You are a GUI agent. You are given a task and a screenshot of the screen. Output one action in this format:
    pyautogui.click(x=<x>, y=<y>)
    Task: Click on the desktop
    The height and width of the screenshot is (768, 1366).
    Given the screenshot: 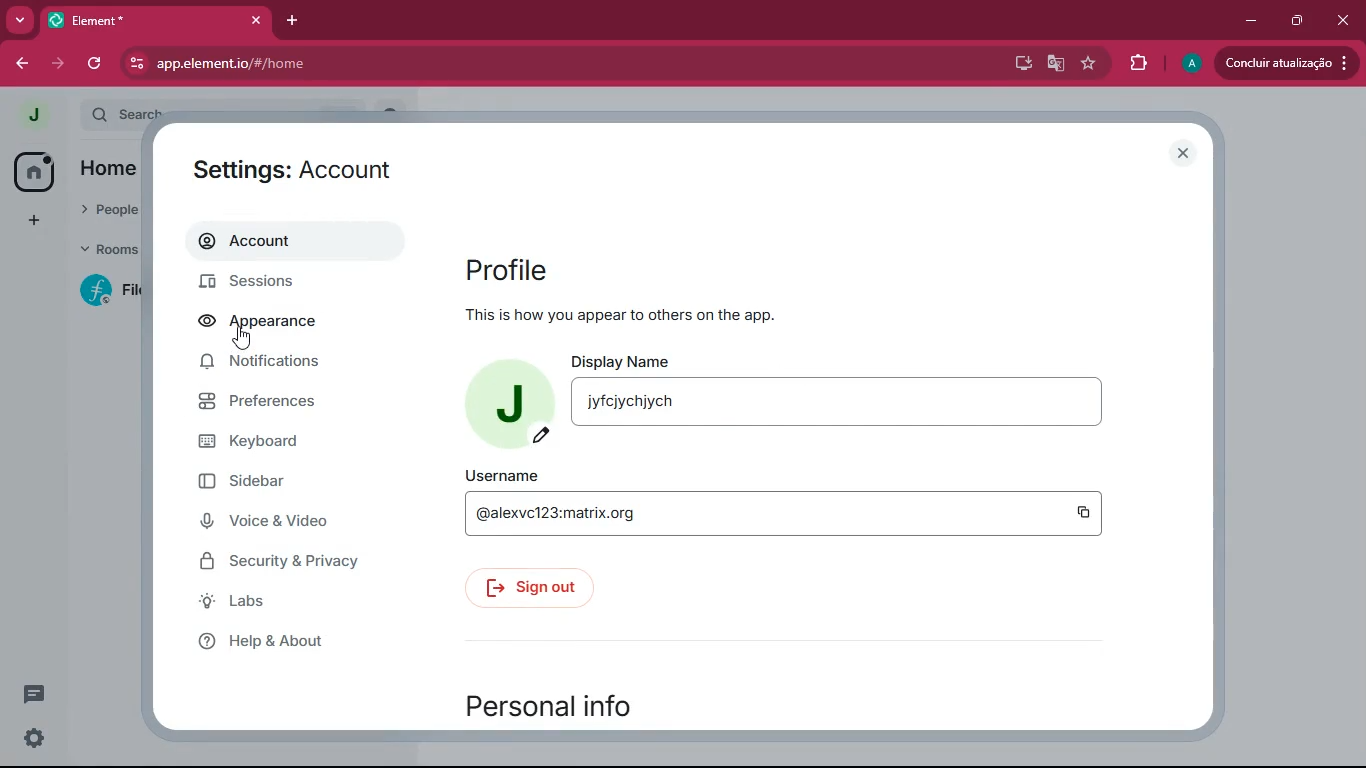 What is the action you would take?
    pyautogui.click(x=1020, y=64)
    